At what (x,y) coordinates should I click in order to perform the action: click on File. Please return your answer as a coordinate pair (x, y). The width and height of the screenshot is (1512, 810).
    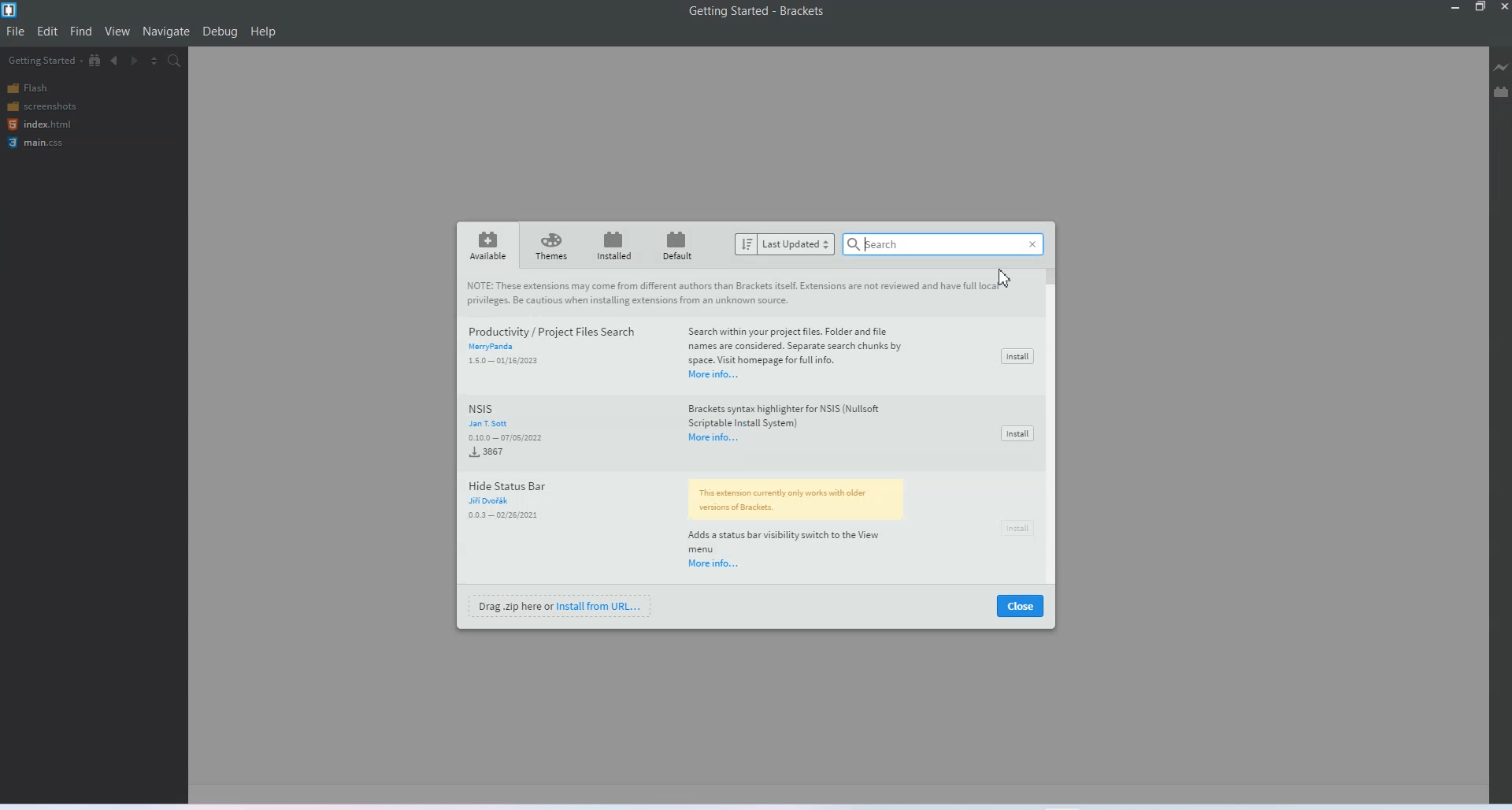
    Looking at the image, I should click on (15, 32).